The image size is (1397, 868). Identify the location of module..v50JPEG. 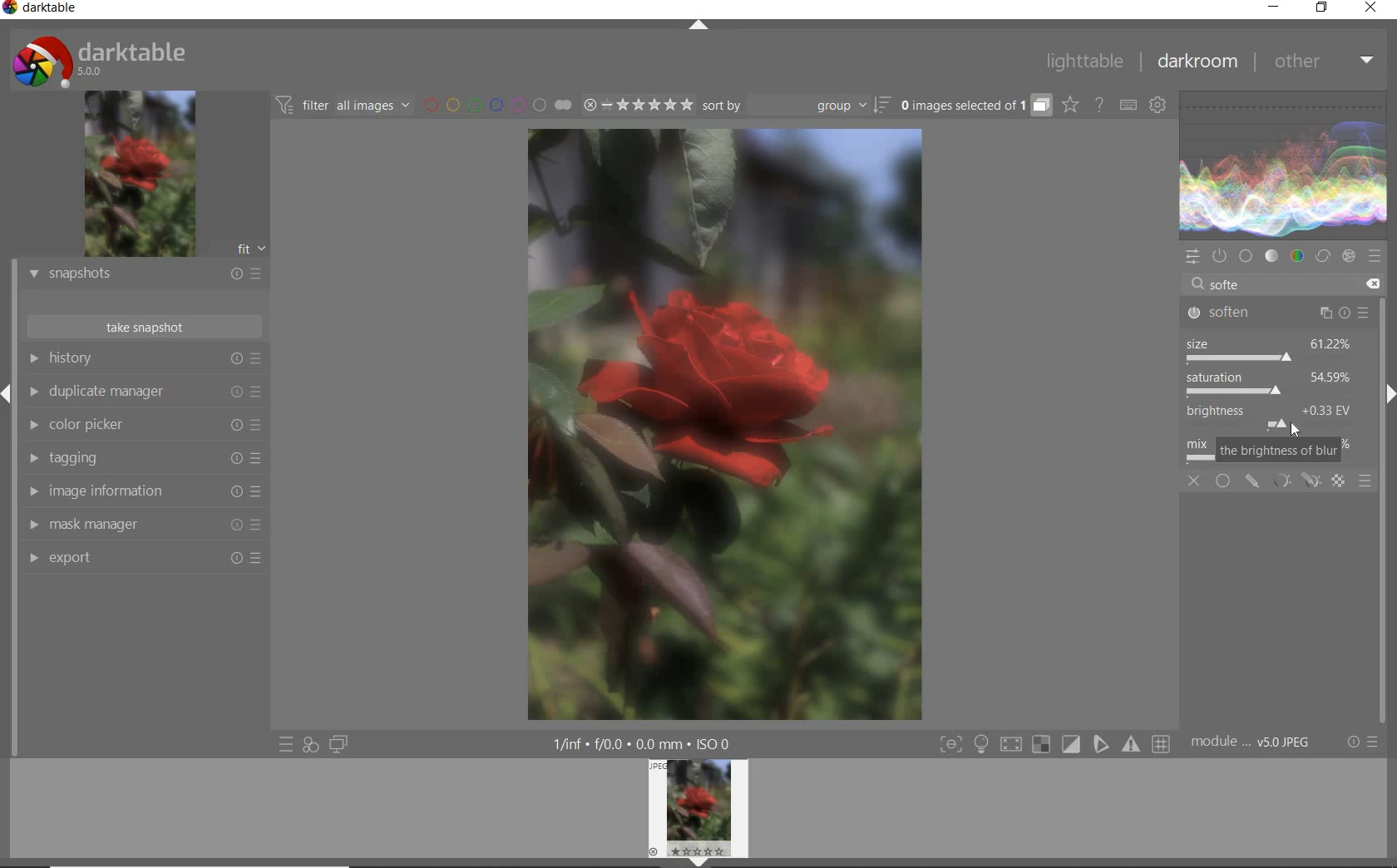
(1256, 742).